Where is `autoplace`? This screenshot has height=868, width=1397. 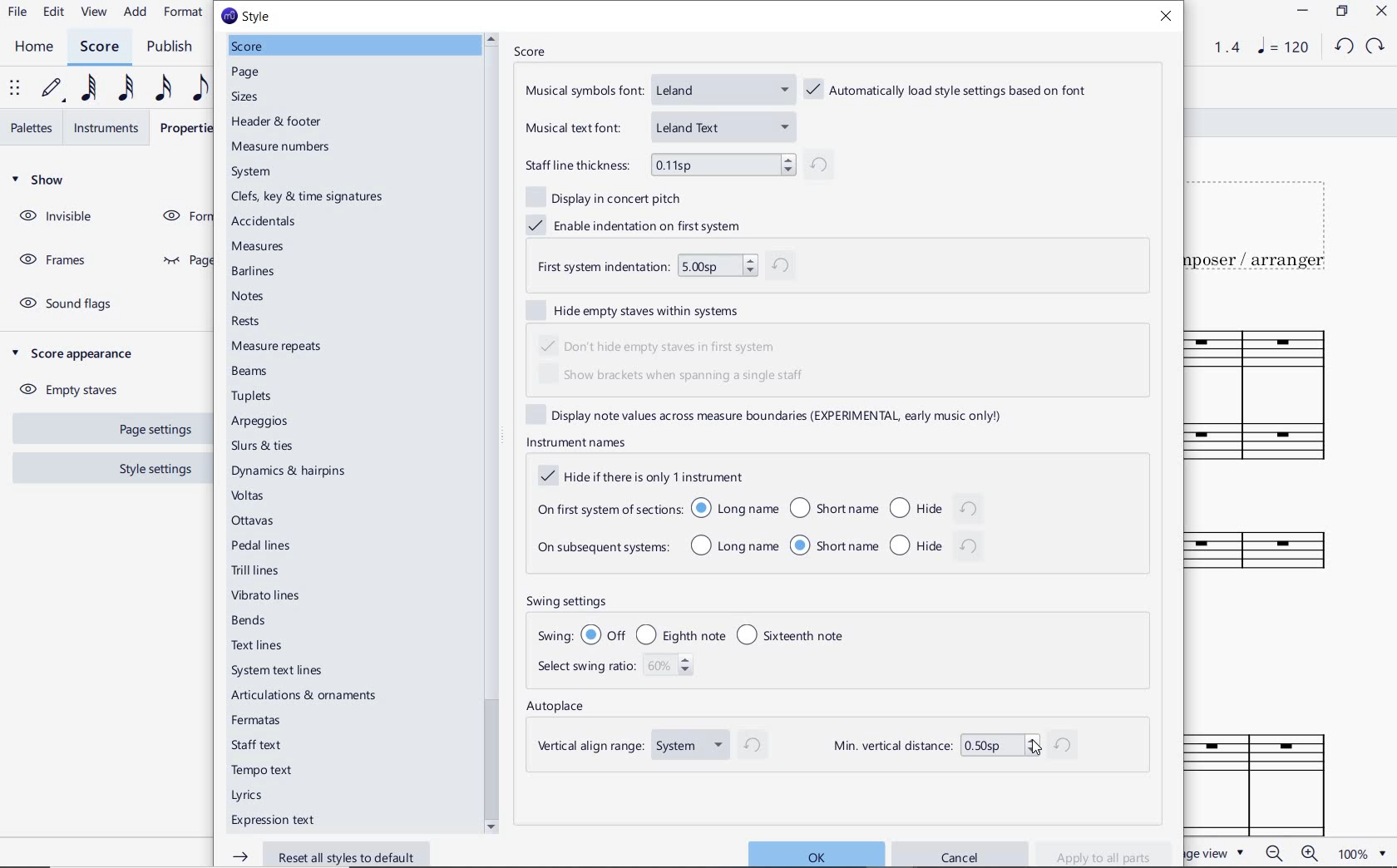
autoplace is located at coordinates (559, 708).